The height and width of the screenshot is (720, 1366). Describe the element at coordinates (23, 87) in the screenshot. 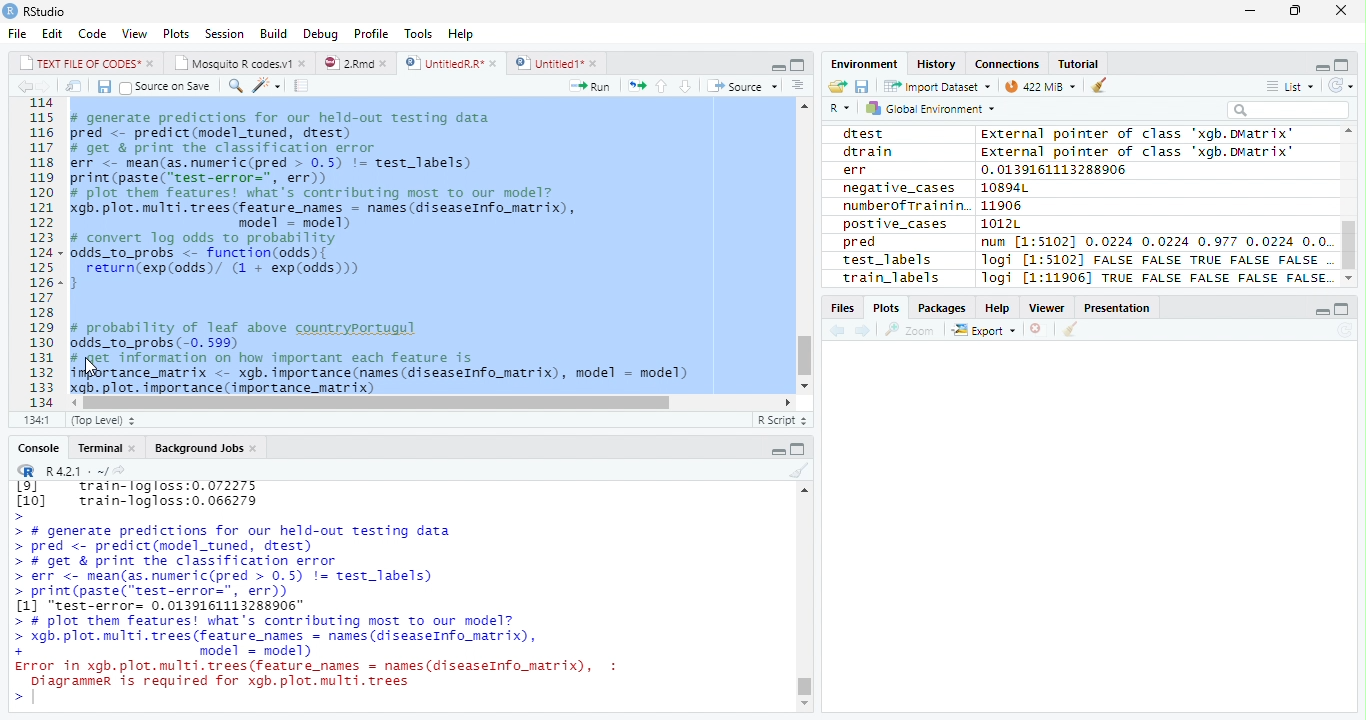

I see `Previous` at that location.